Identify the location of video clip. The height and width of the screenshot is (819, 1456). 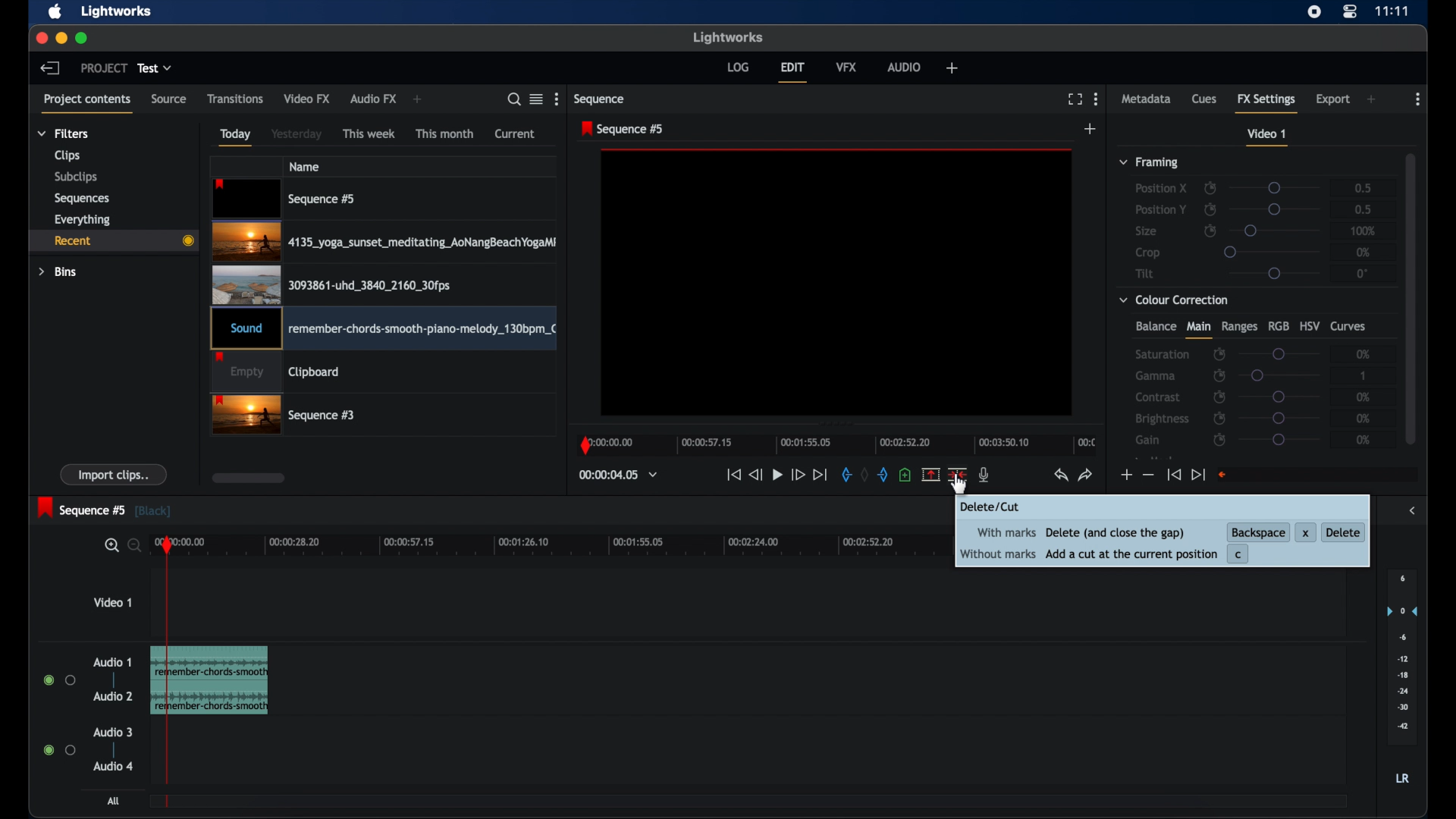
(285, 199).